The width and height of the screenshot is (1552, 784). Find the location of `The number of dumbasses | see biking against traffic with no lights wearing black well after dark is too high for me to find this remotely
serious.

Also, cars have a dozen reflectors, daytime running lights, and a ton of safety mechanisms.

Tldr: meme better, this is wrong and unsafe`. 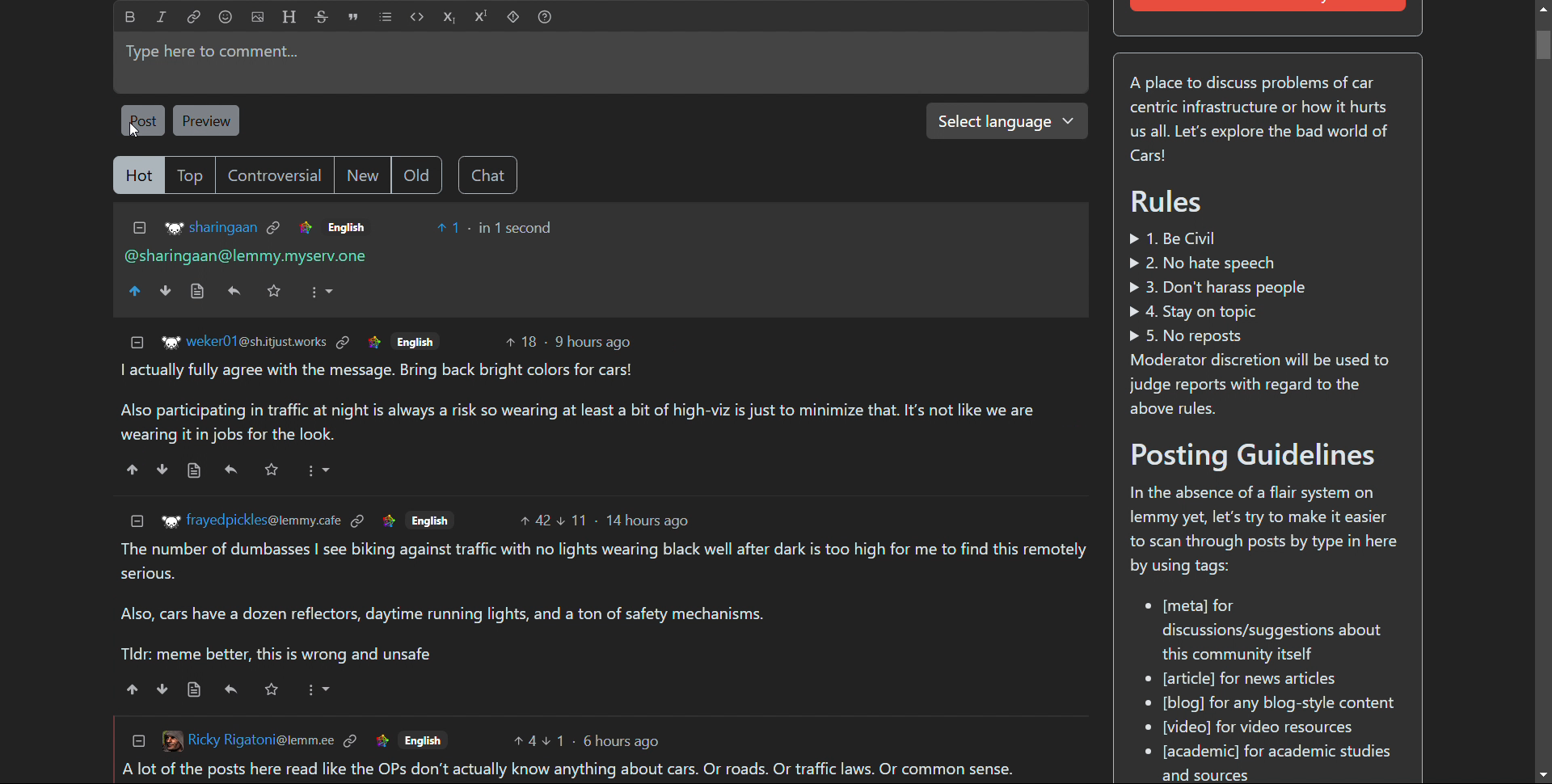

The number of dumbasses | see biking against traffic with no lights wearing black well after dark is too high for me to find this remotely
serious.

Also, cars have a dozen reflectors, daytime running lights, and a ton of safety mechanisms.

Tldr: meme better, this is wrong and unsafe is located at coordinates (607, 603).